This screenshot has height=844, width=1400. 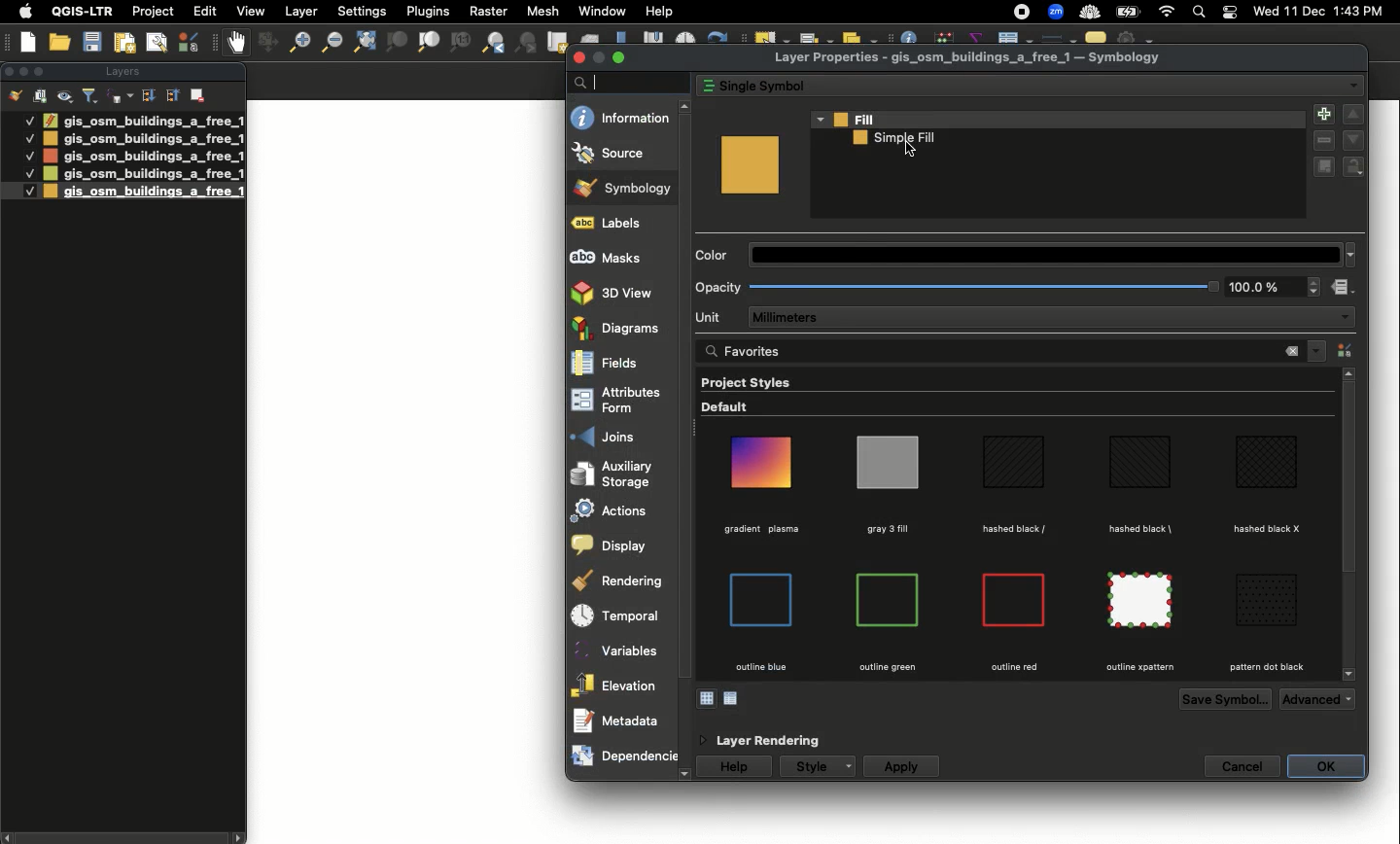 I want to click on Checked, so click(x=28, y=120).